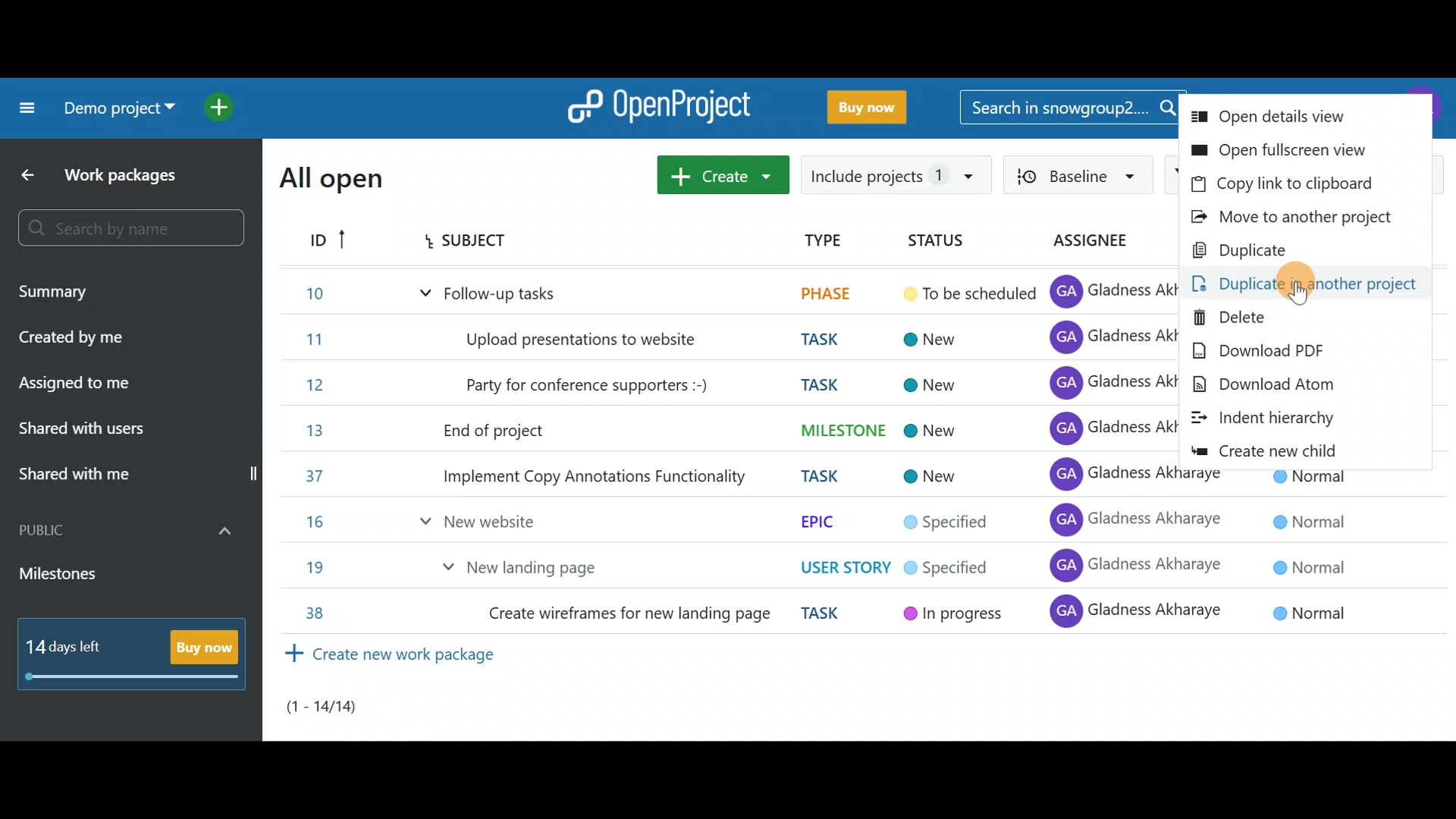  What do you see at coordinates (102, 388) in the screenshot?
I see `Assigned to me` at bounding box center [102, 388].